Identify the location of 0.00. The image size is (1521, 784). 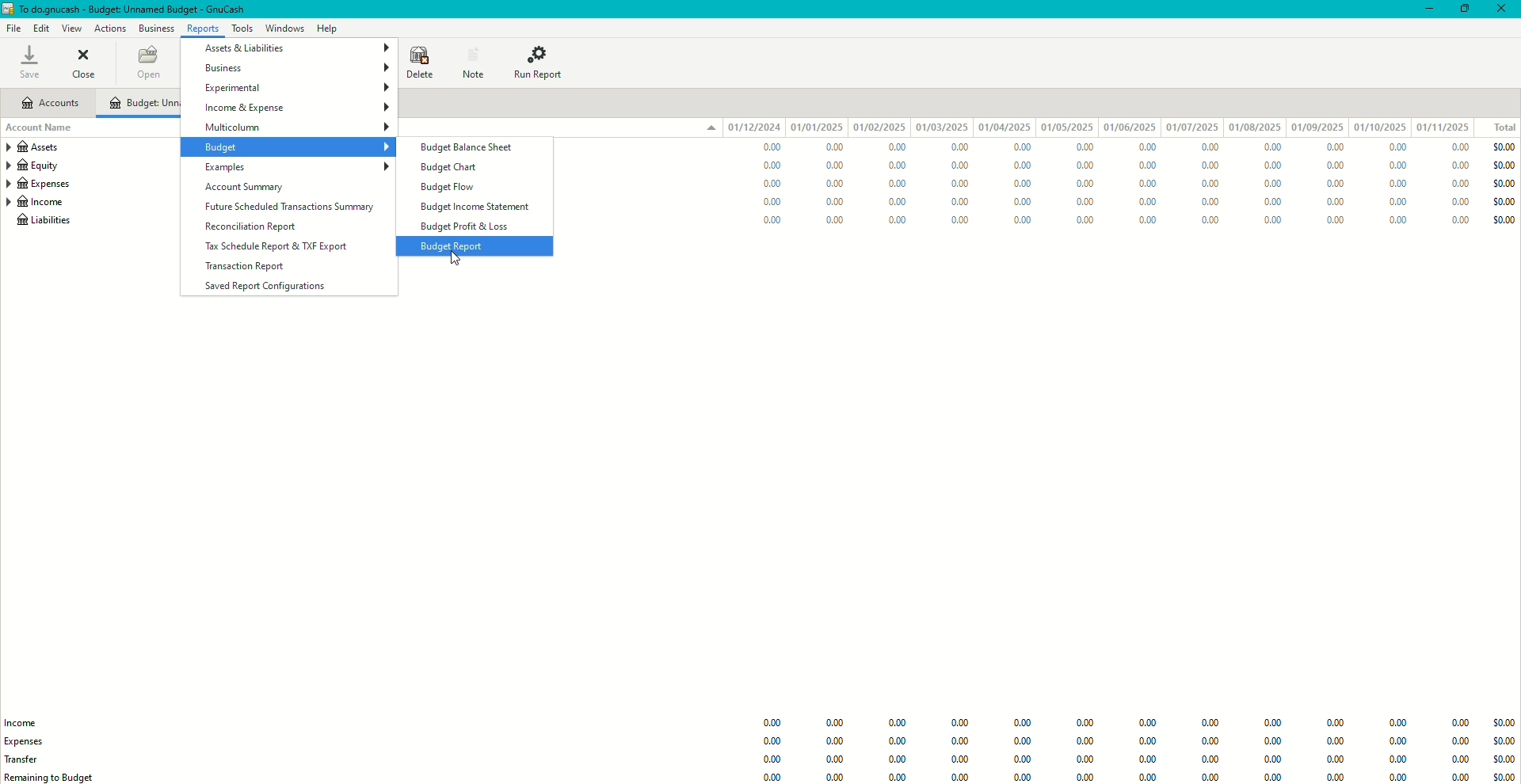
(959, 202).